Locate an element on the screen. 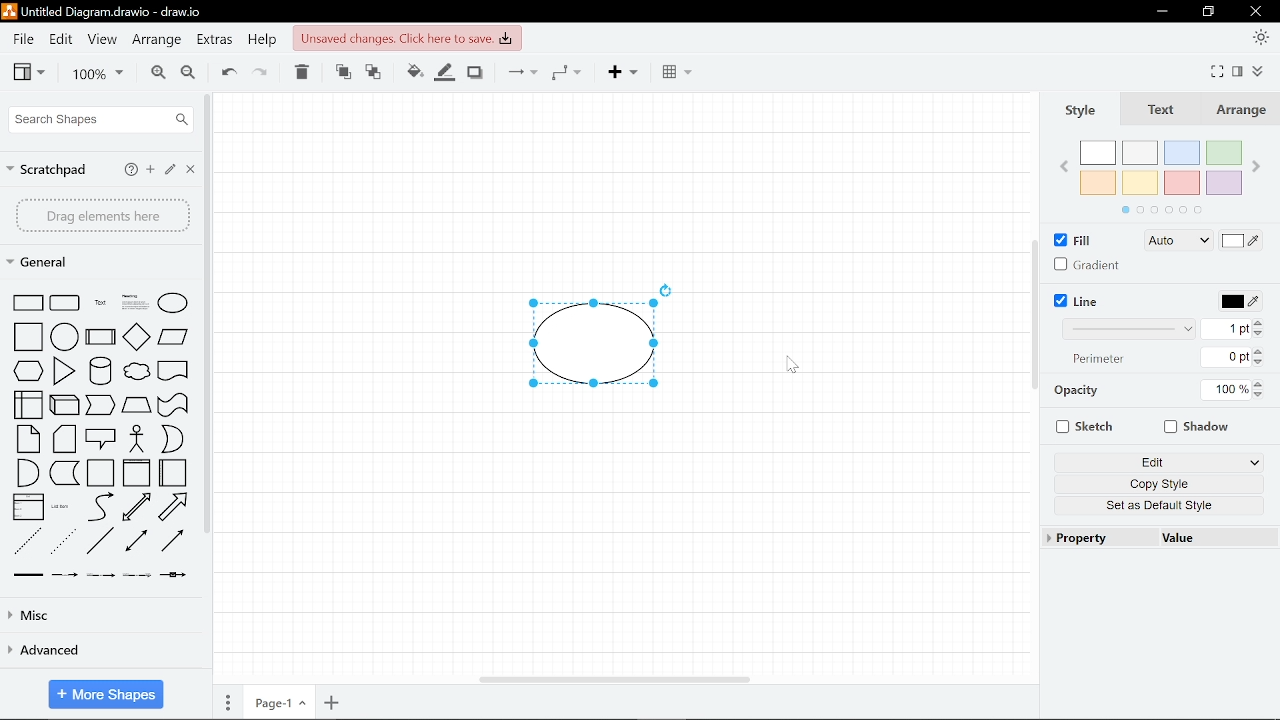 The height and width of the screenshot is (720, 1280). square is located at coordinates (28, 337).